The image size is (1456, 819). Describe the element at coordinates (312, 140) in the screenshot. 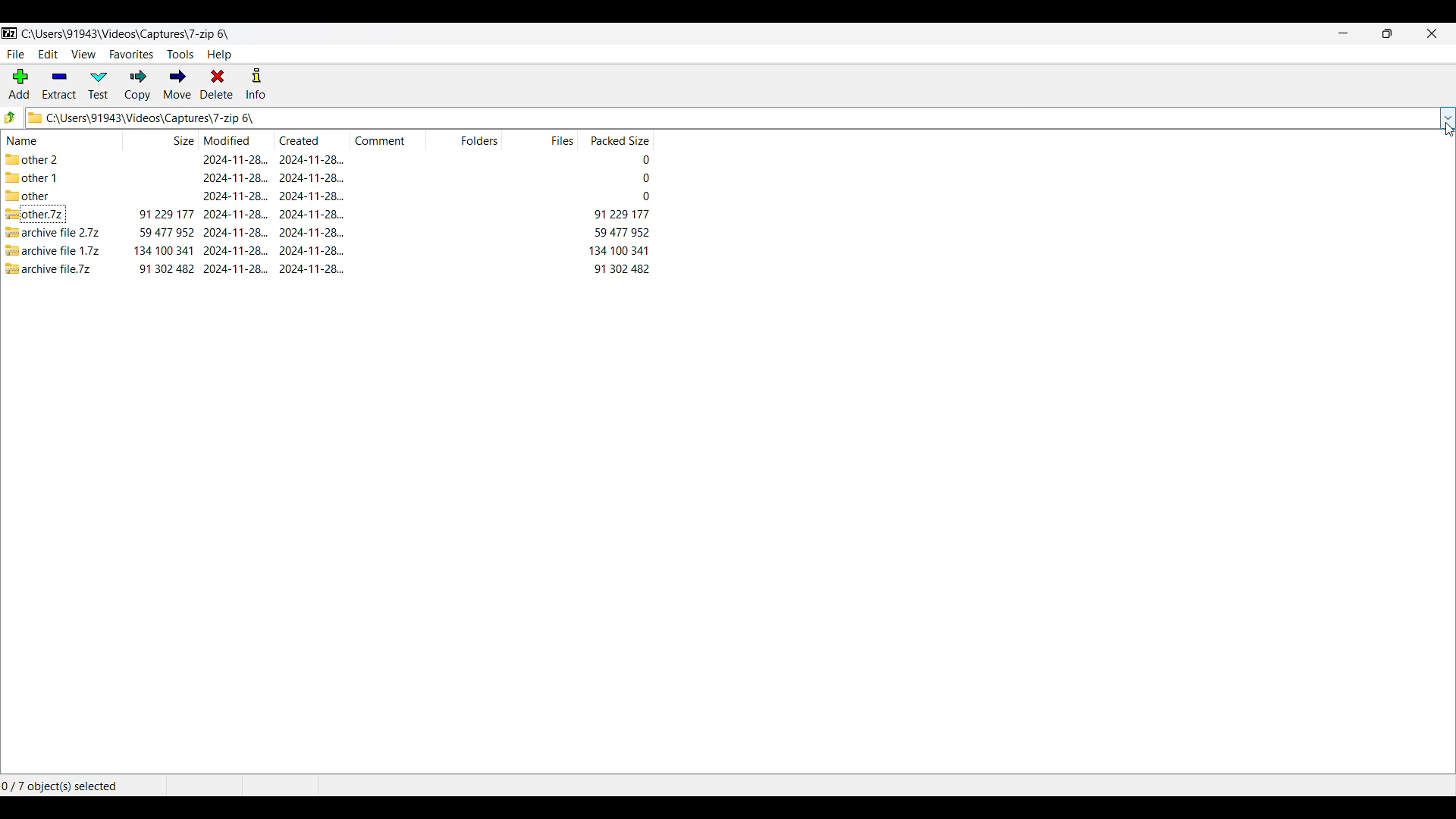

I see `Created column` at that location.